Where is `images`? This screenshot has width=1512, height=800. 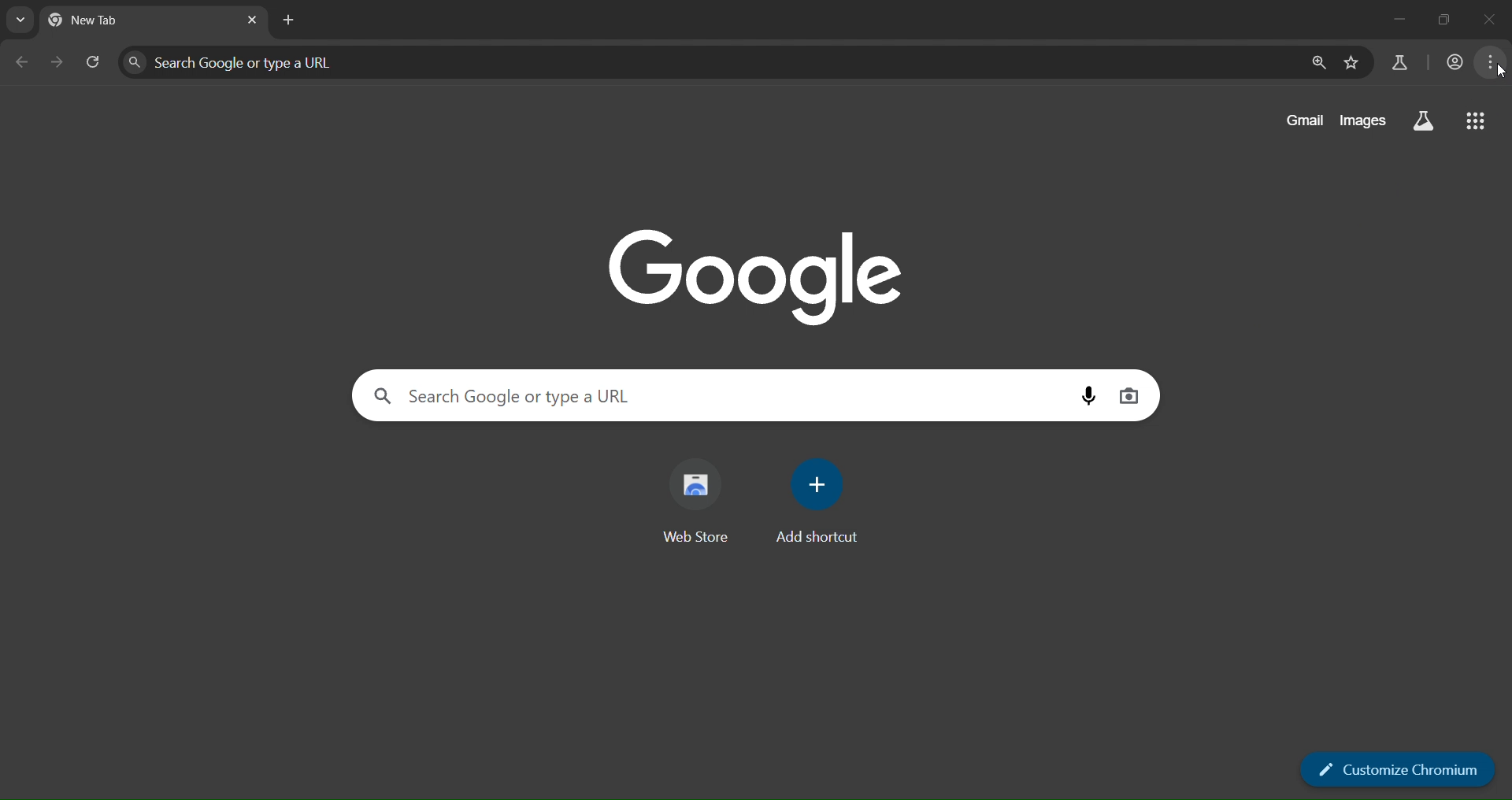 images is located at coordinates (1361, 119).